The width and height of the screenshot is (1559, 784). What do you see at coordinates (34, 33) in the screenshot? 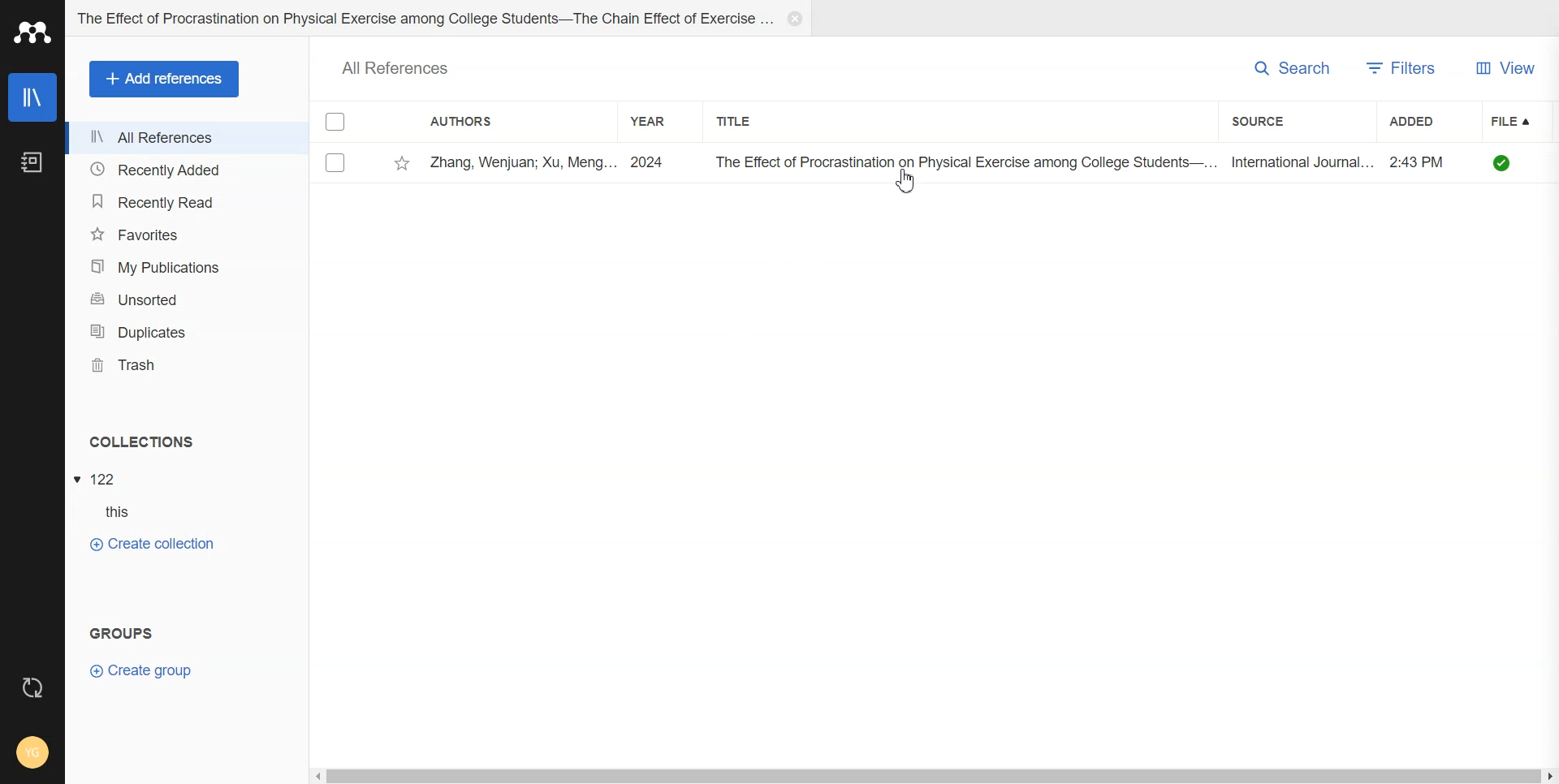
I see `Logo` at bounding box center [34, 33].